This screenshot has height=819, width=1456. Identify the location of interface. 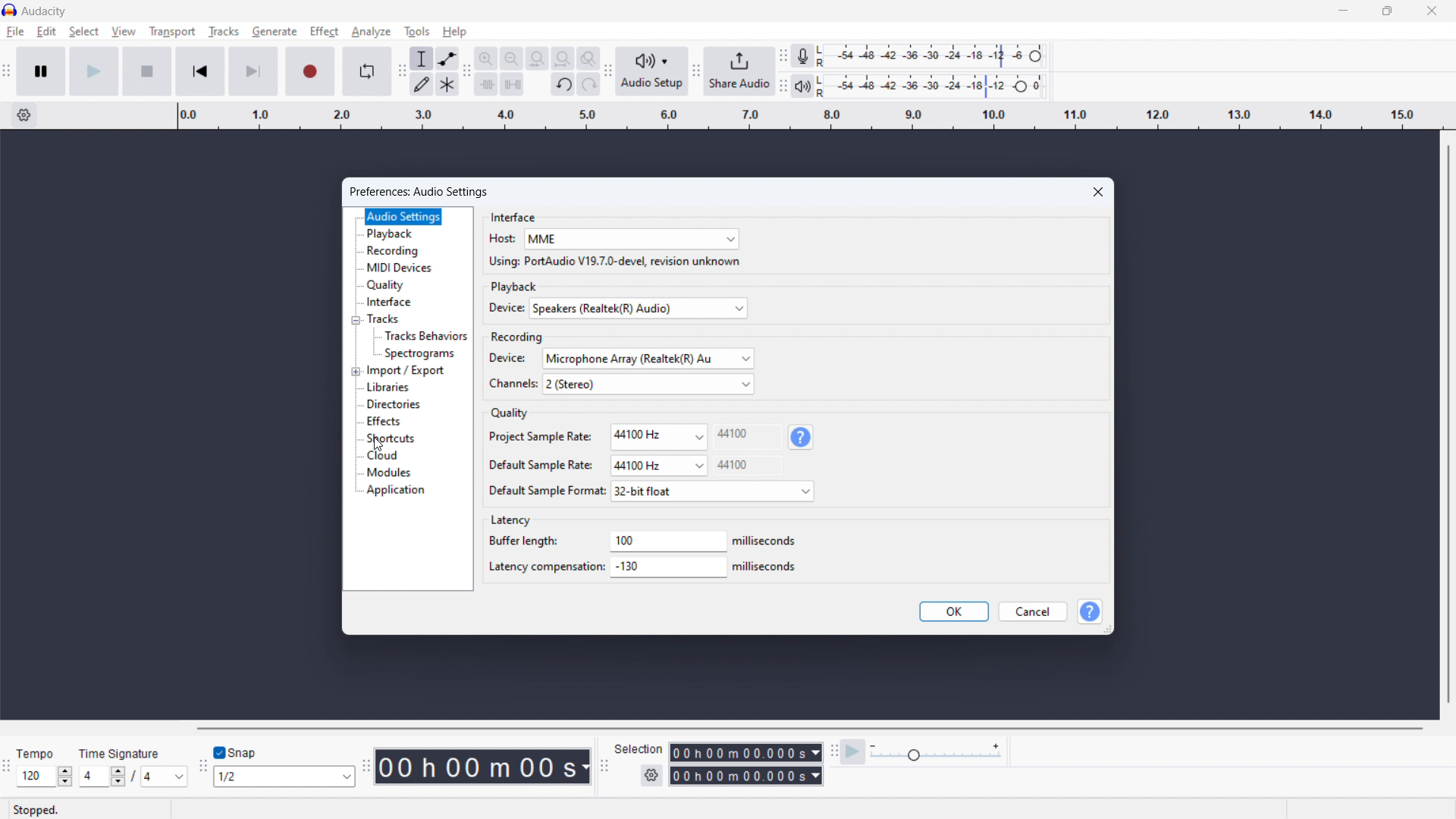
(388, 302).